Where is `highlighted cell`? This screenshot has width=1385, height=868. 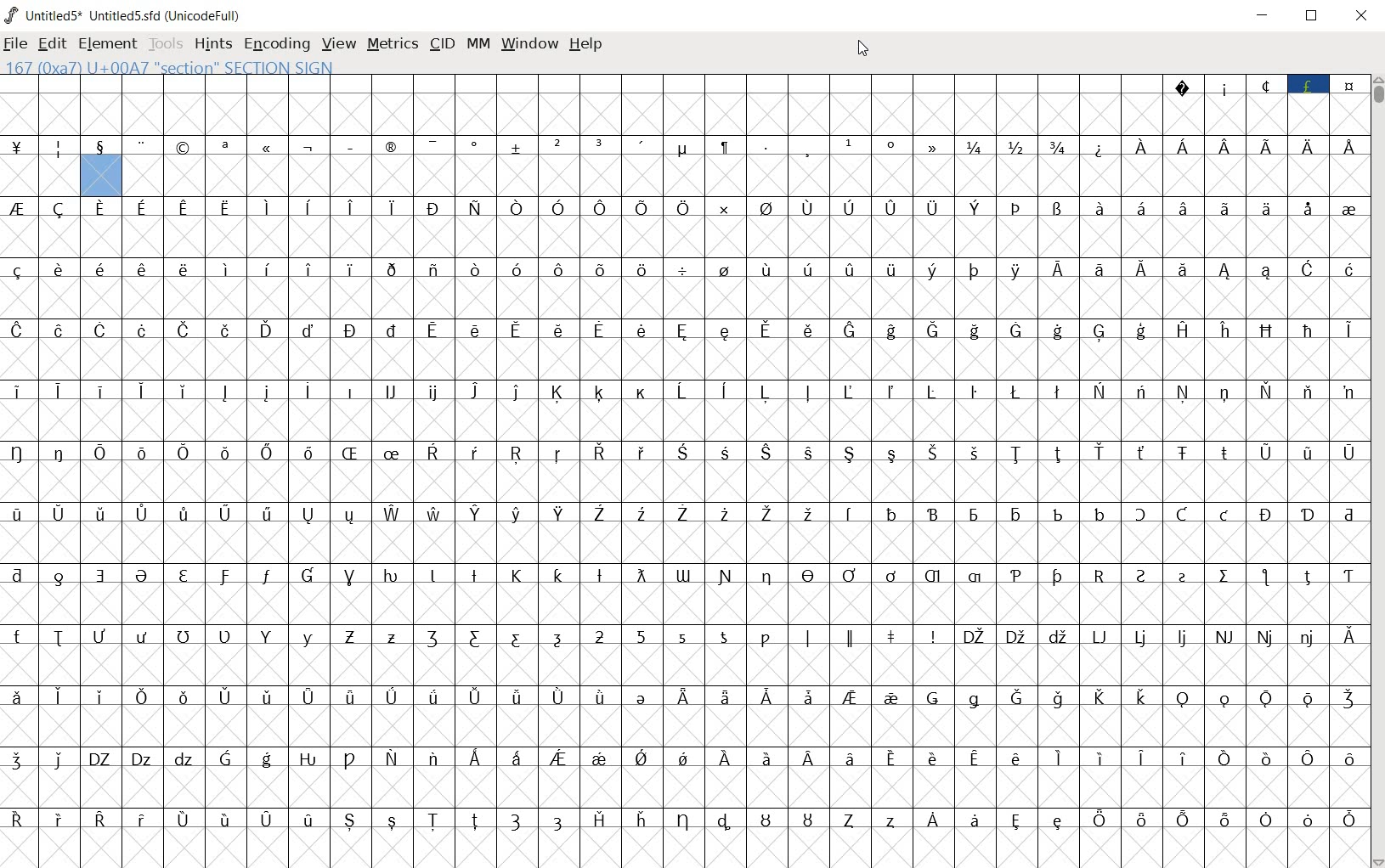 highlighted cell is located at coordinates (100, 177).